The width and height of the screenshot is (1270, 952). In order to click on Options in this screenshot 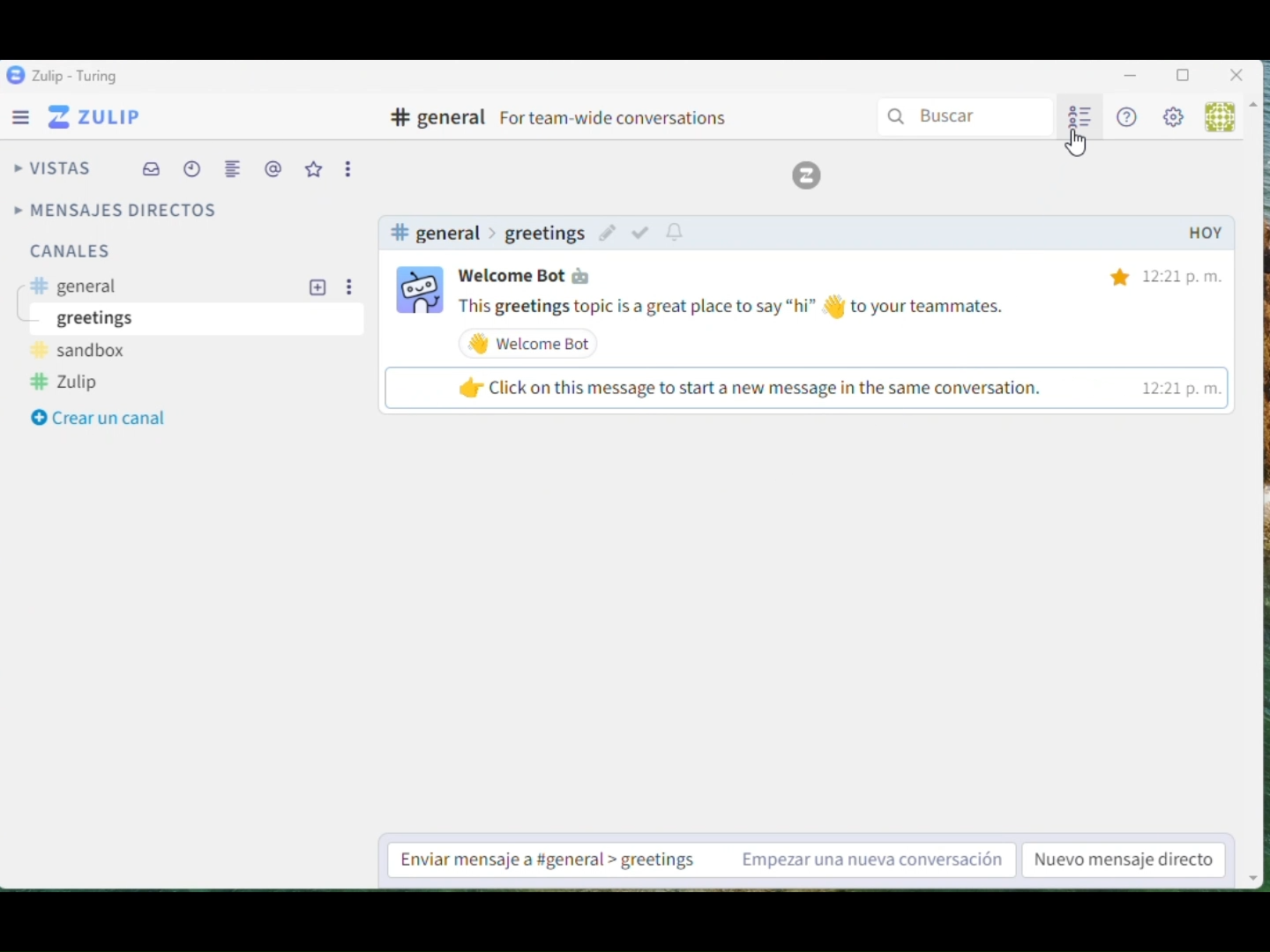, I will do `click(350, 168)`.